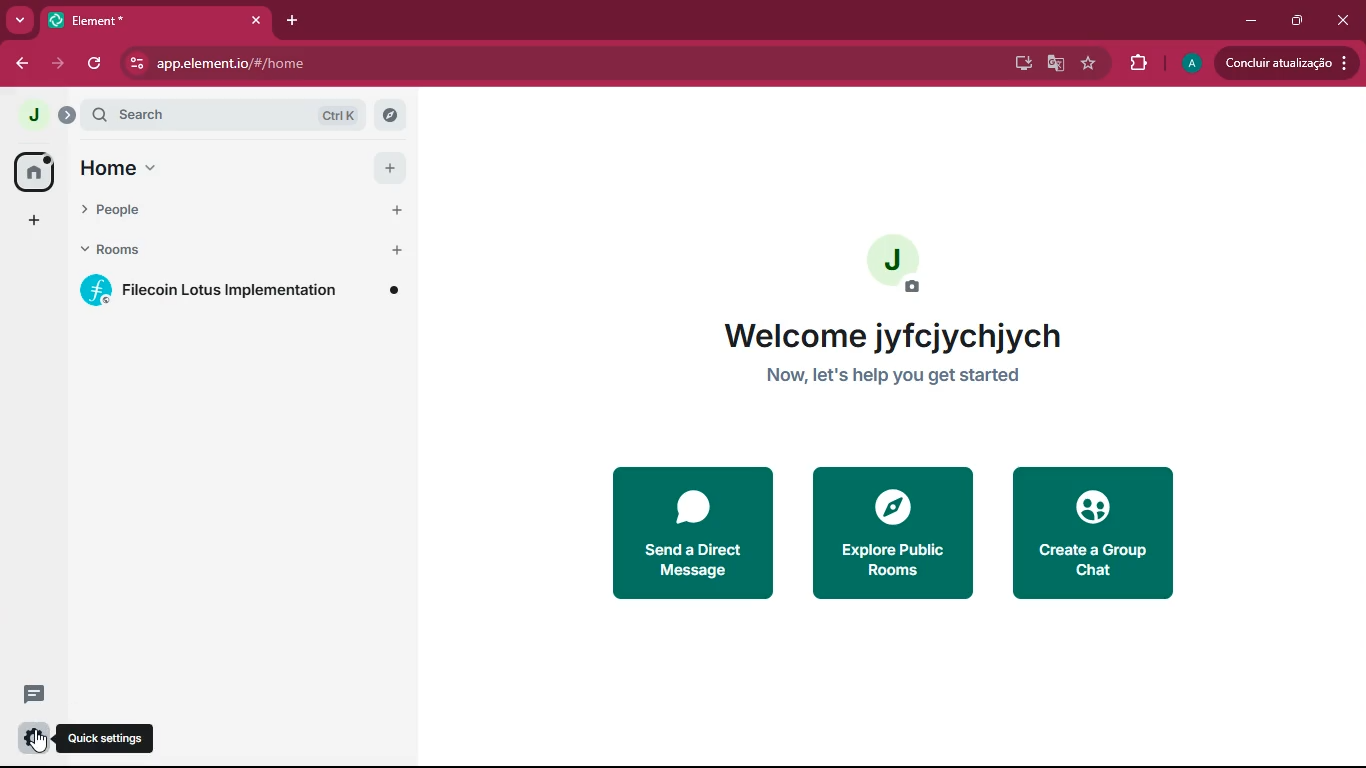 This screenshot has height=768, width=1366. I want to click on google translate, so click(1052, 66).